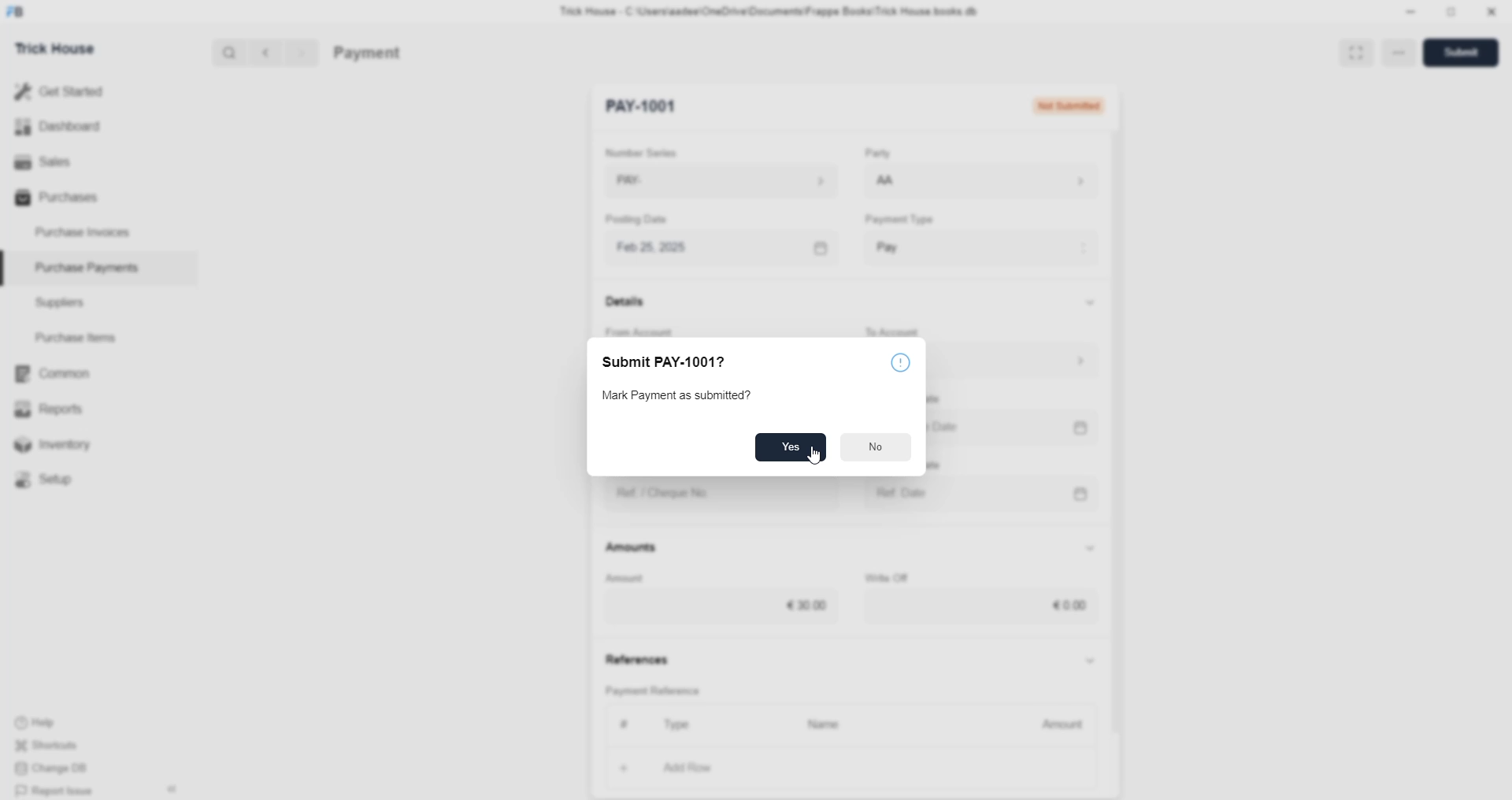 The width and height of the screenshot is (1512, 800). I want to click on Sales, so click(41, 160).